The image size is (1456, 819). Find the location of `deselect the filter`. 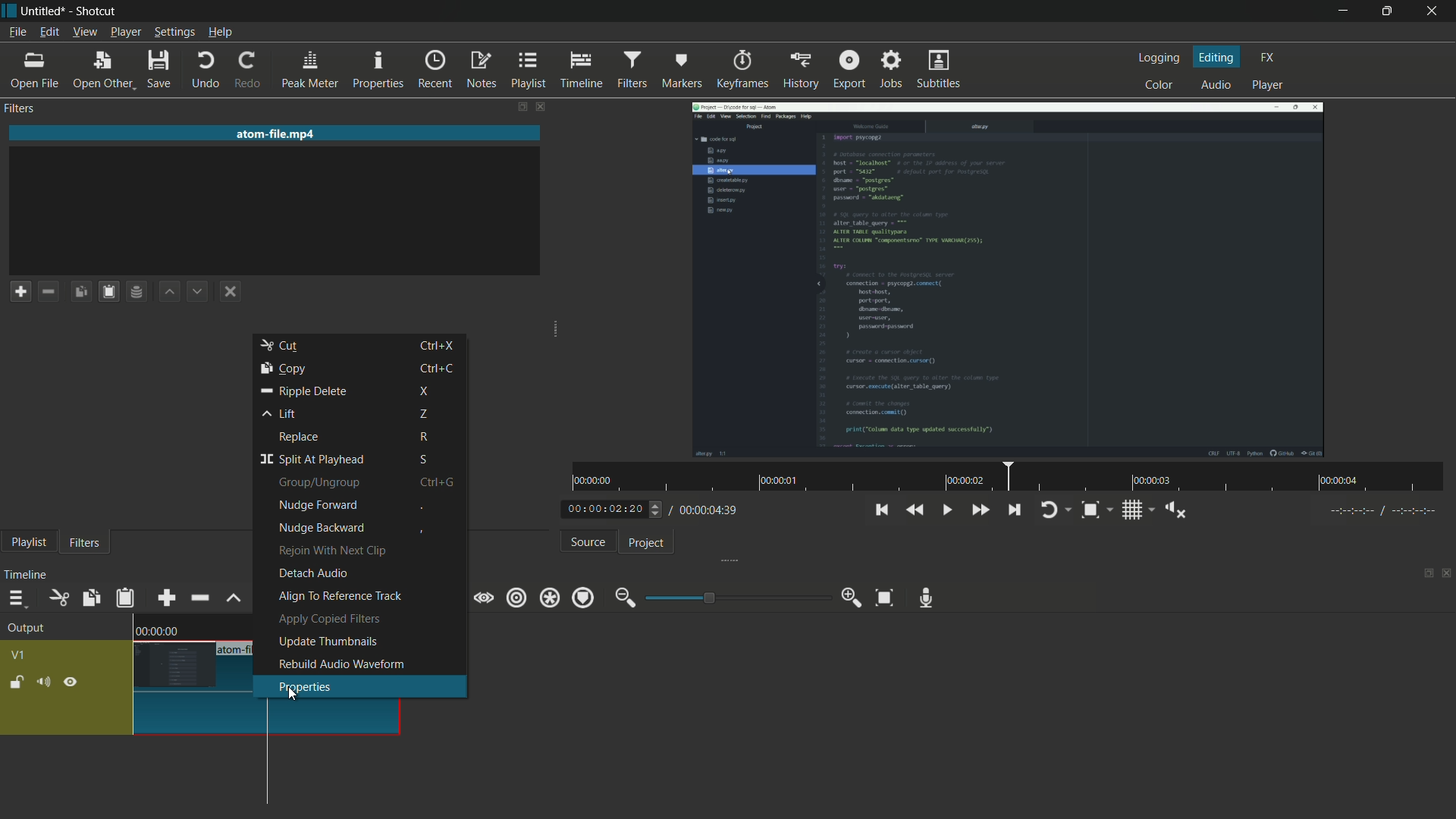

deselect the filter is located at coordinates (230, 290).